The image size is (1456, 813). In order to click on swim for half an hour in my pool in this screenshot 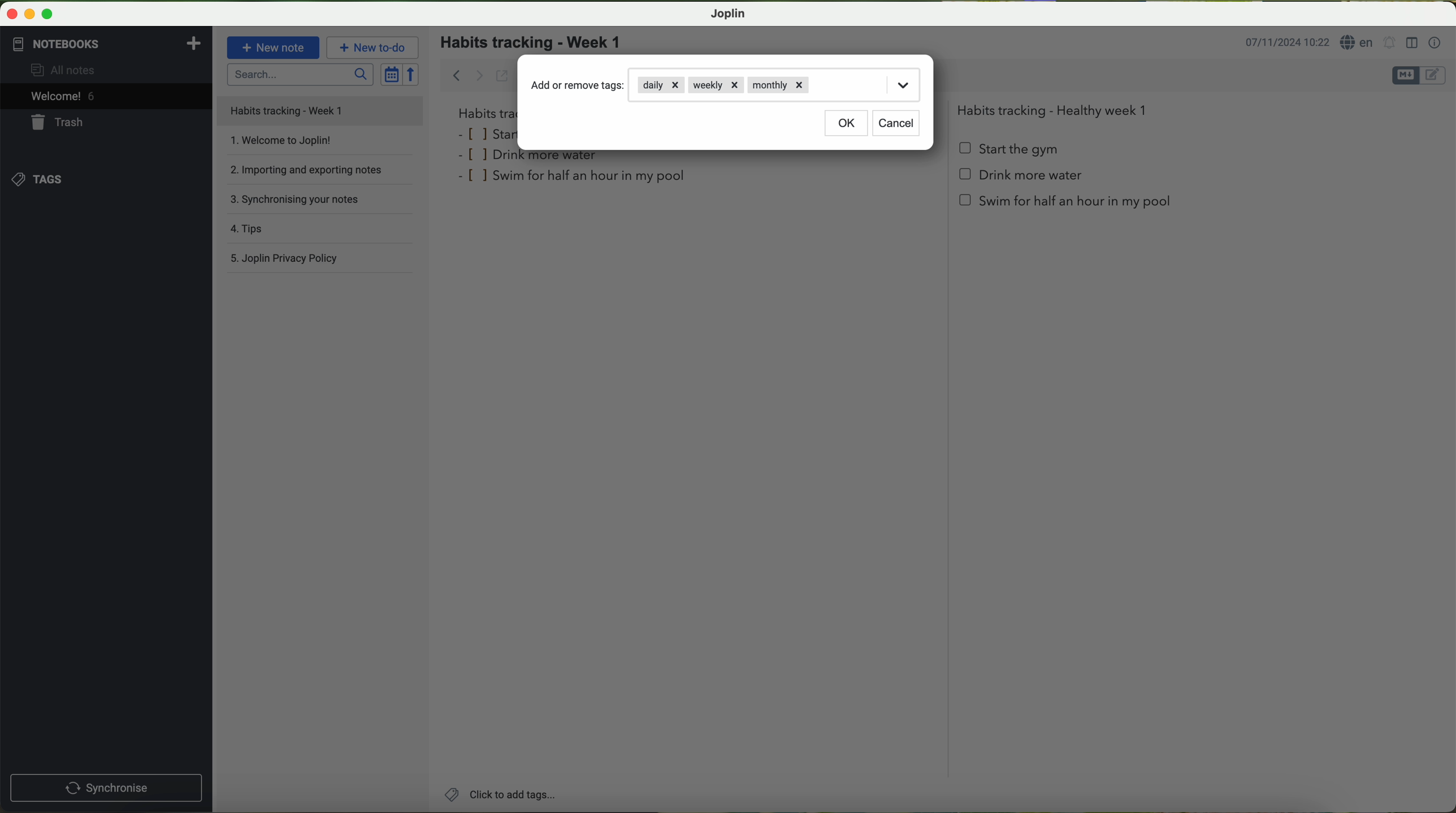, I will do `click(574, 178)`.